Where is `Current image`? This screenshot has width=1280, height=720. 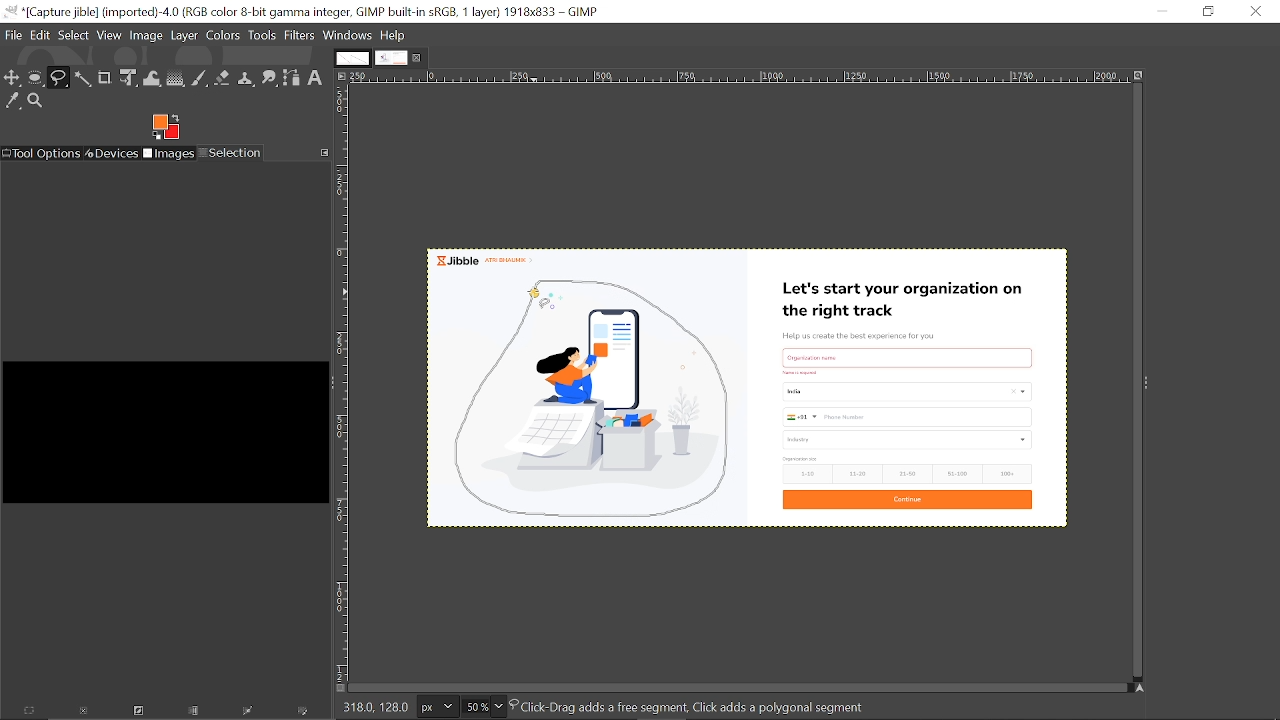
Current image is located at coordinates (909, 392).